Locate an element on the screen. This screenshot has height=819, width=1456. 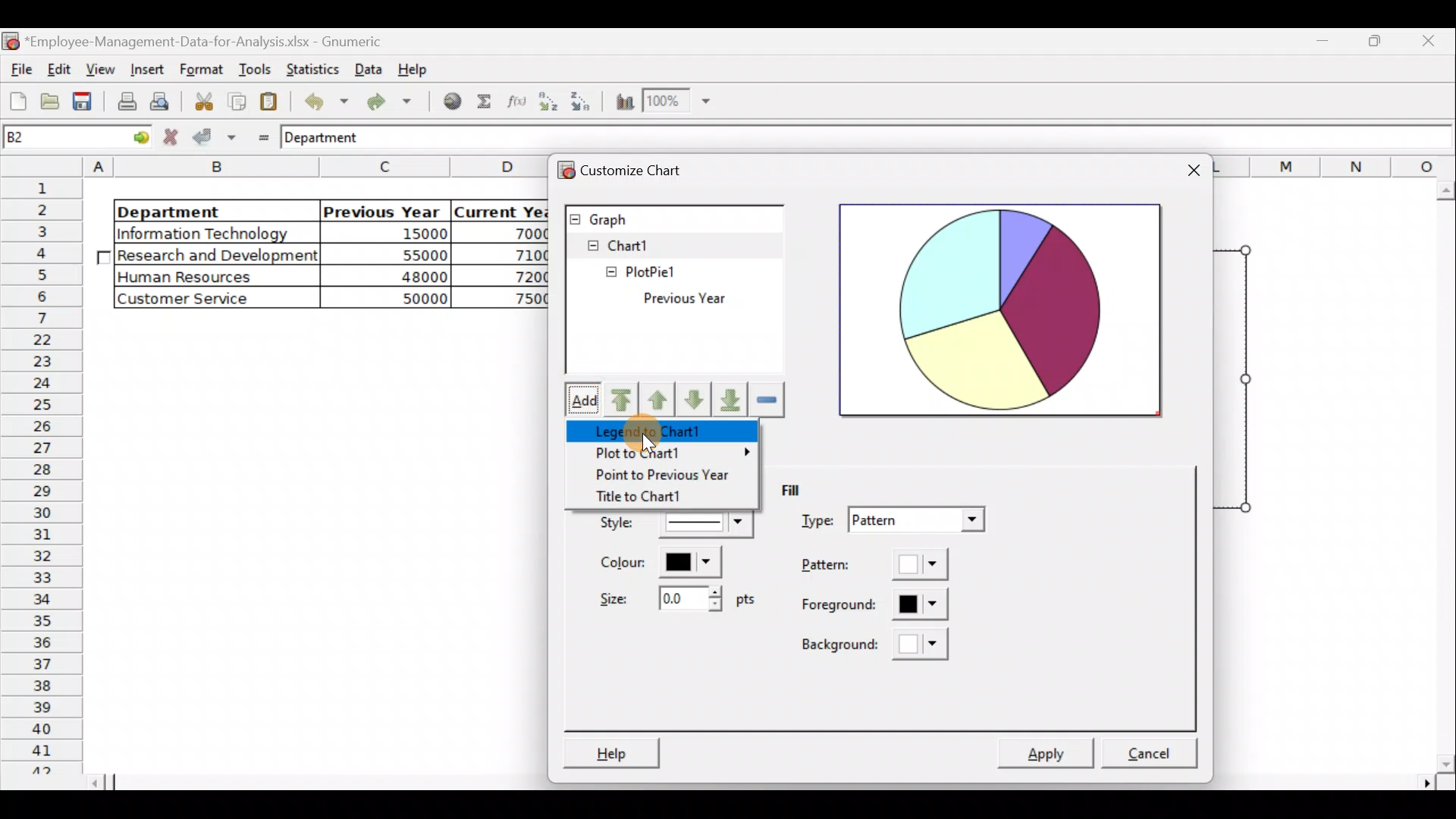
Department is located at coordinates (334, 139).